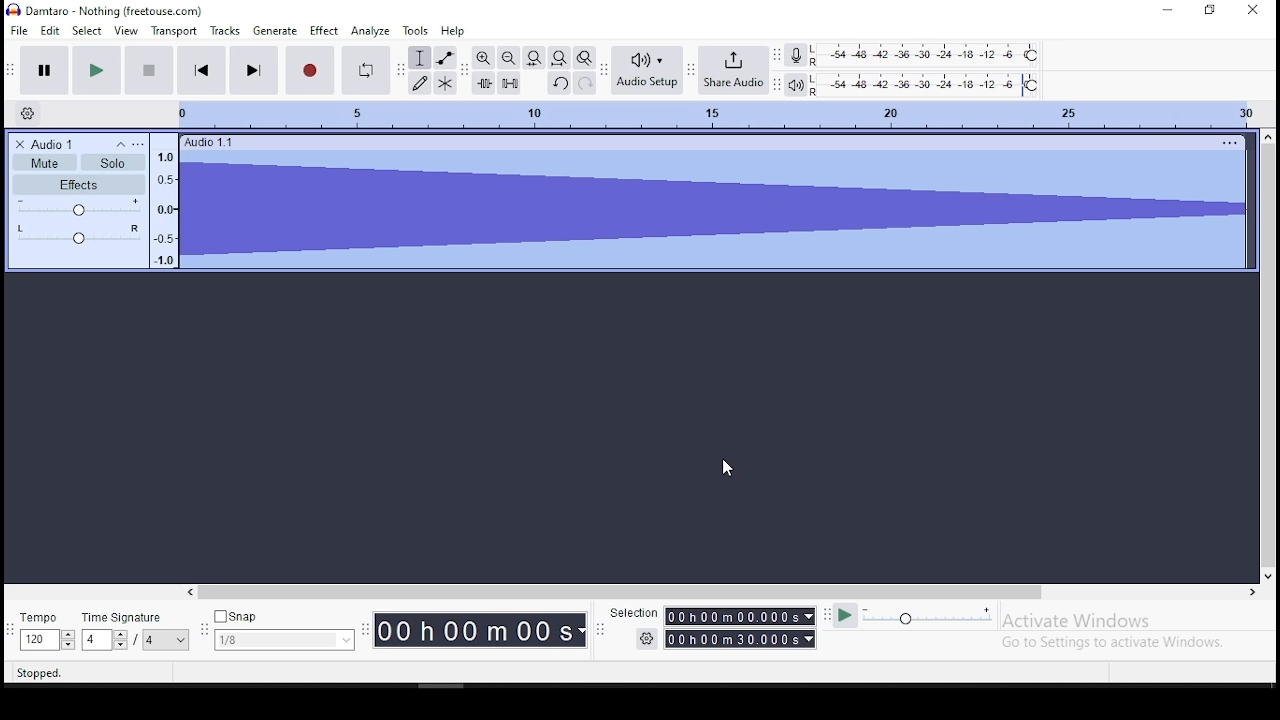 This screenshot has height=720, width=1280. Describe the element at coordinates (508, 57) in the screenshot. I see `zoom out` at that location.